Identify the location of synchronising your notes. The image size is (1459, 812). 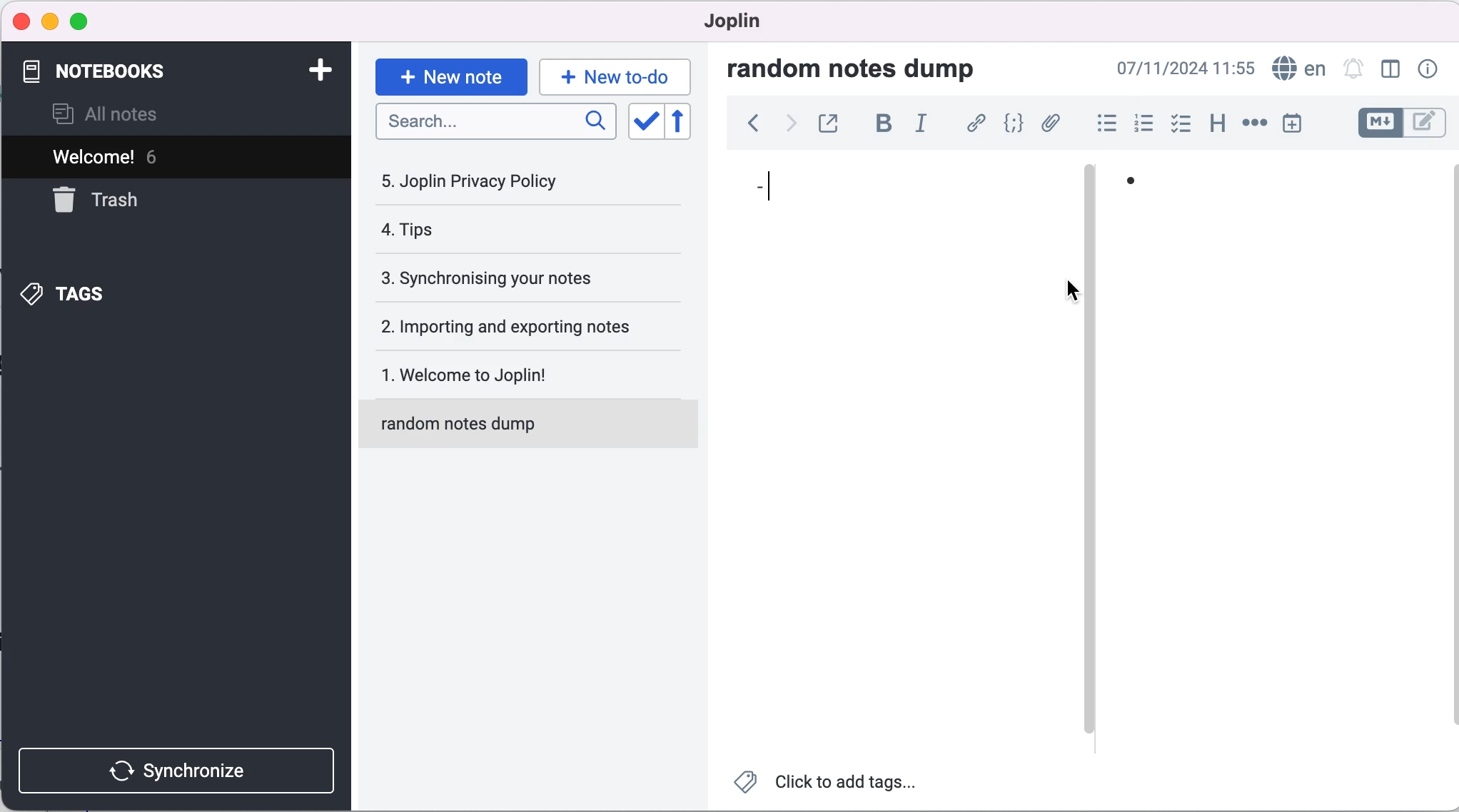
(512, 279).